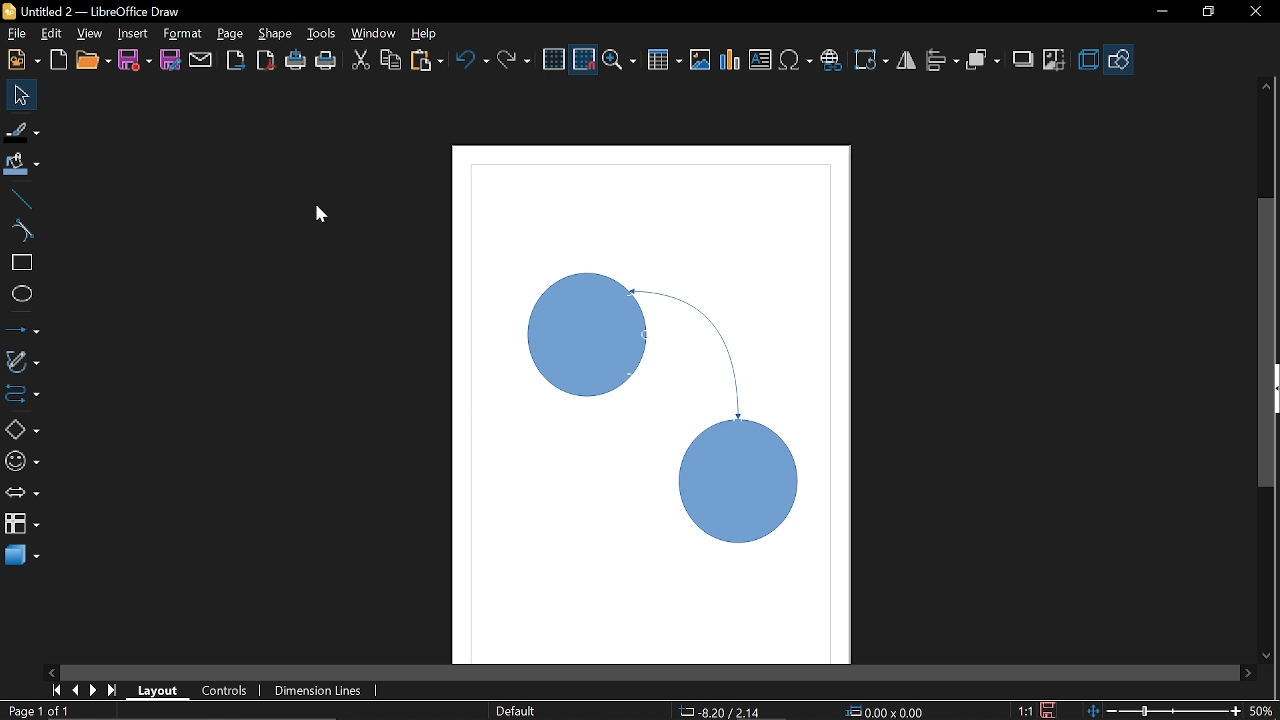 The height and width of the screenshot is (720, 1280). What do you see at coordinates (297, 60) in the screenshot?
I see `Print directly` at bounding box center [297, 60].